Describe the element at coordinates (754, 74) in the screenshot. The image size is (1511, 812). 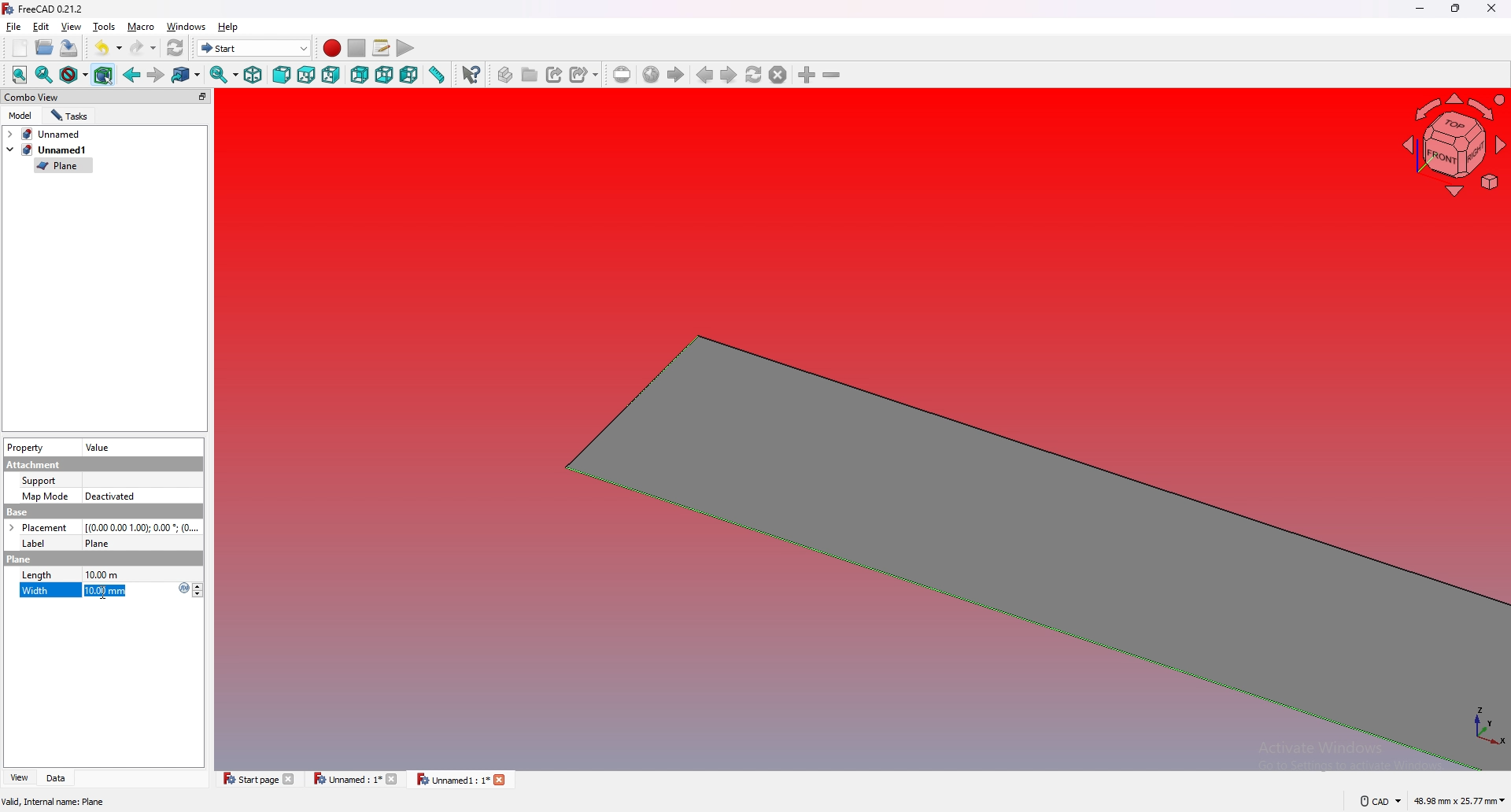
I see `refresh webpage` at that location.